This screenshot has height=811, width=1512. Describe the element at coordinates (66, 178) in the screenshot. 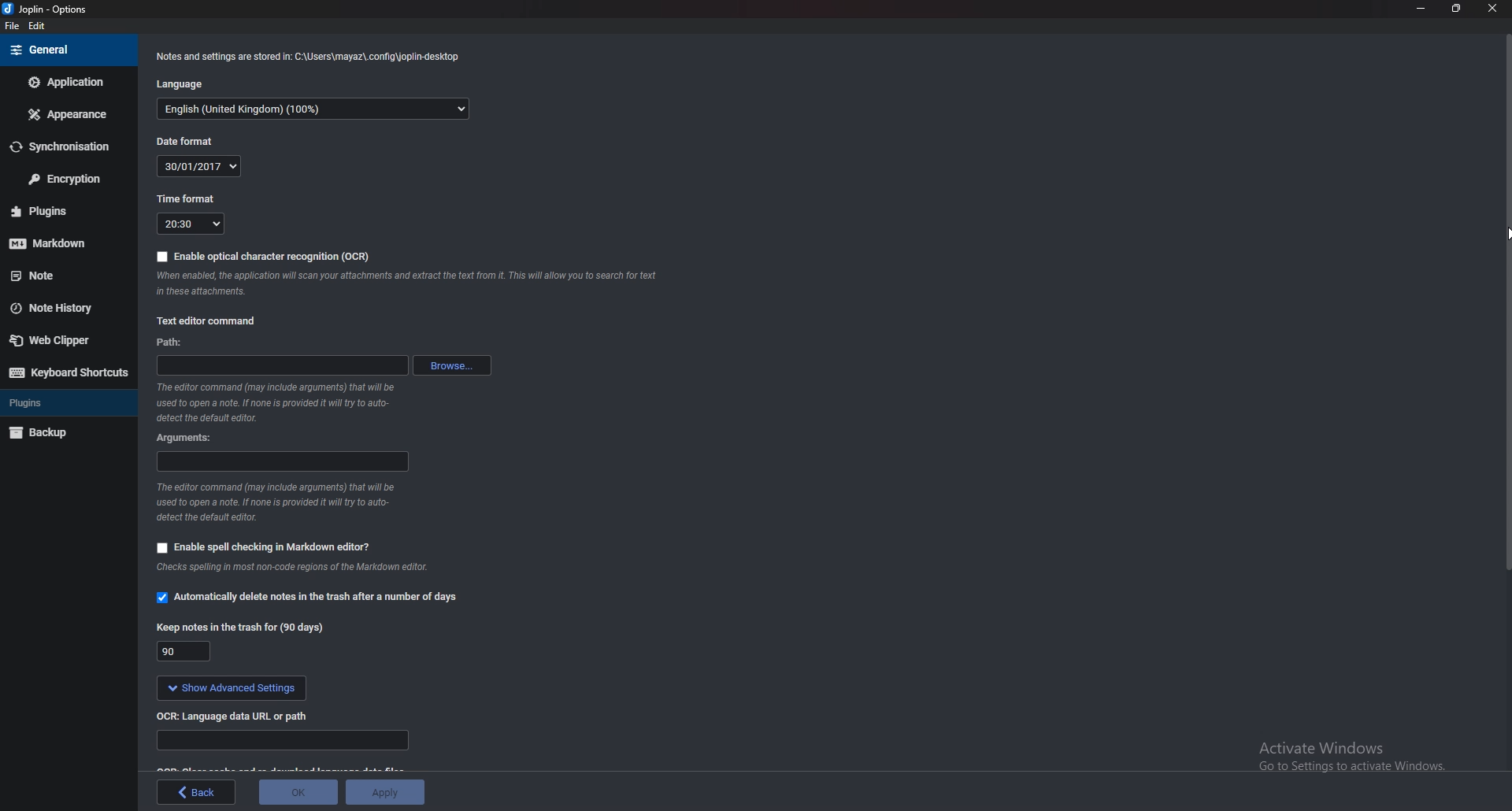

I see `Encryption` at that location.